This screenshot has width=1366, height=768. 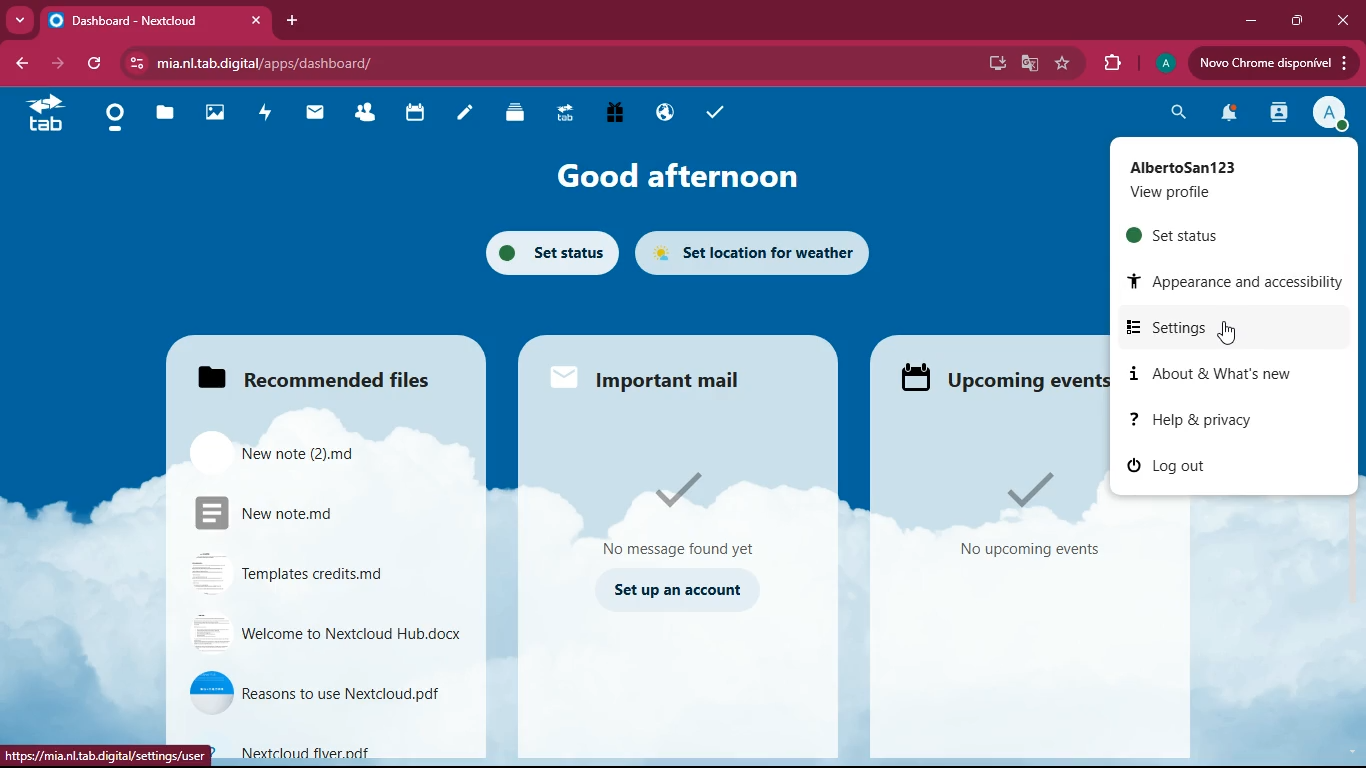 I want to click on scroll bar, so click(x=1354, y=446).